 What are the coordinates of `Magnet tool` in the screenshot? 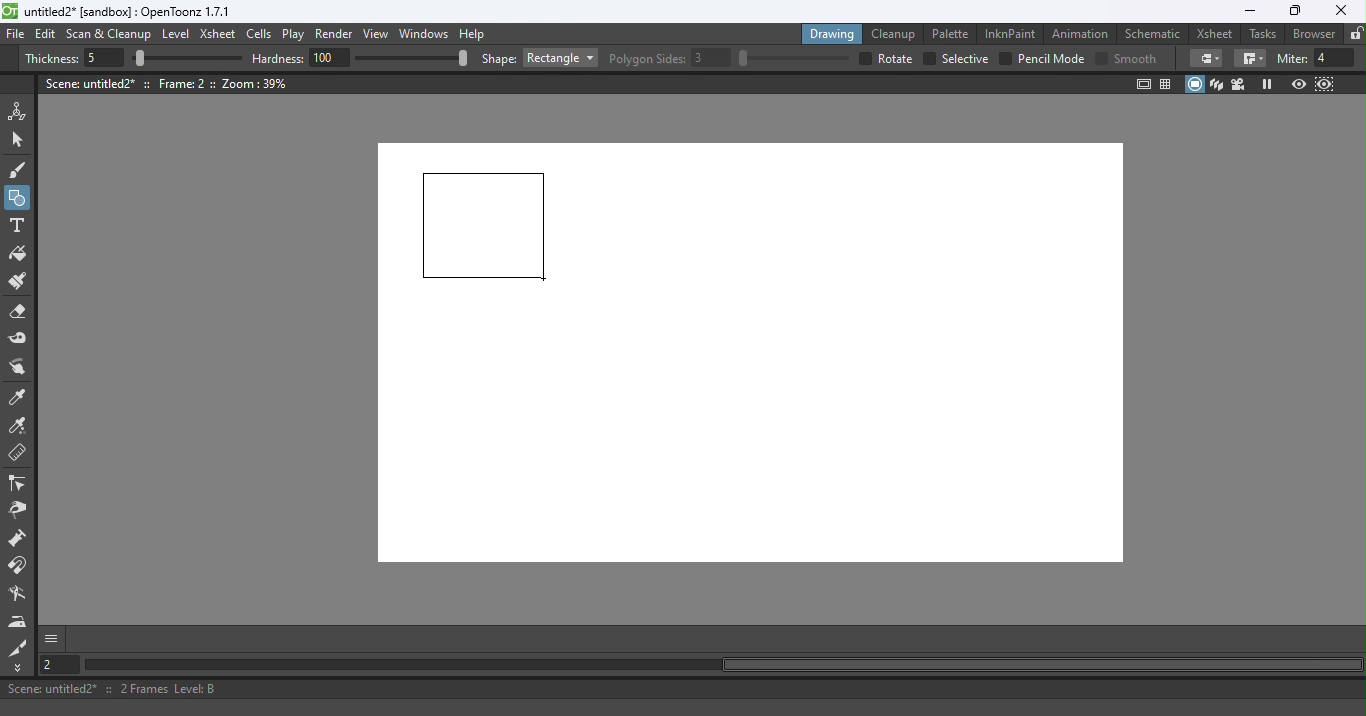 It's located at (19, 540).